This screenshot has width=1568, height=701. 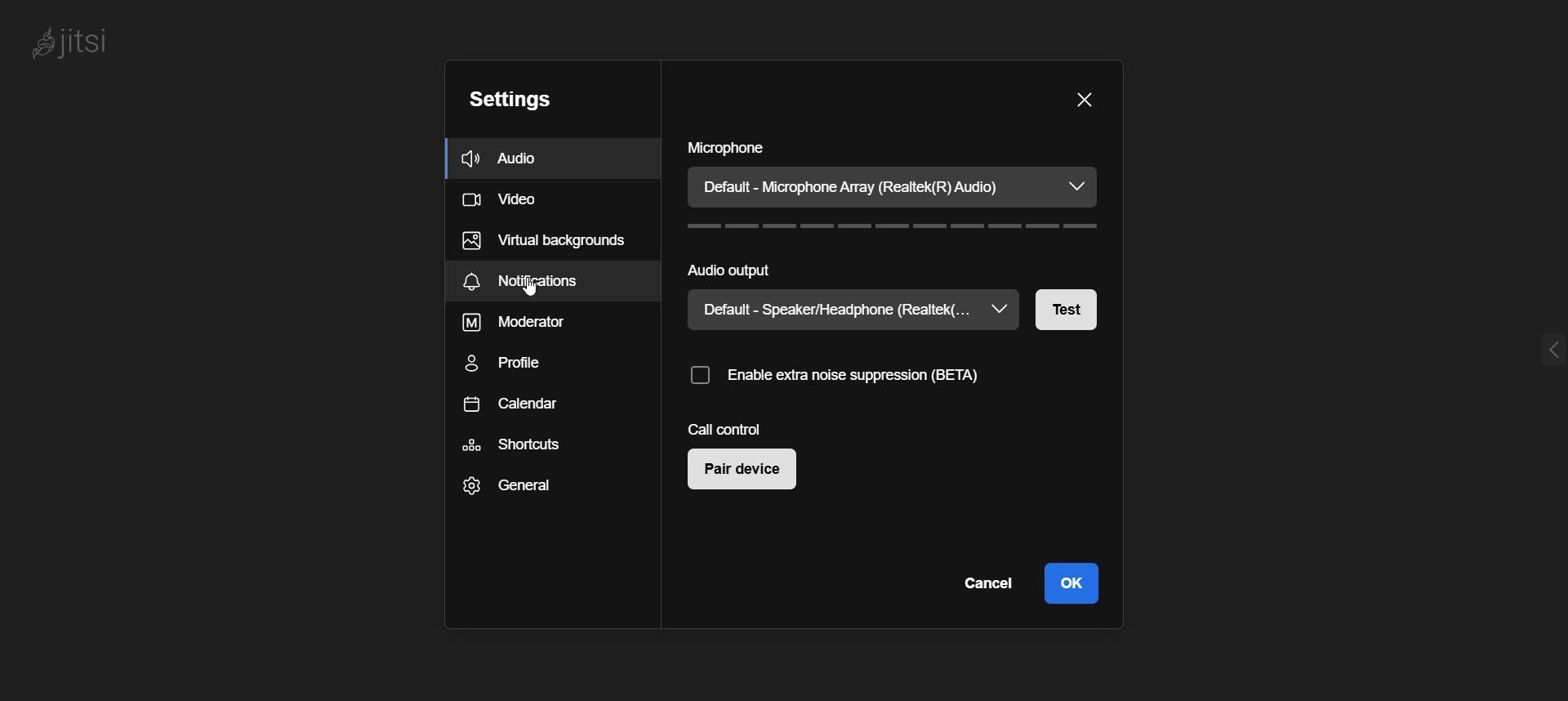 I want to click on enable extra noise suppression (BETA), so click(x=833, y=375).